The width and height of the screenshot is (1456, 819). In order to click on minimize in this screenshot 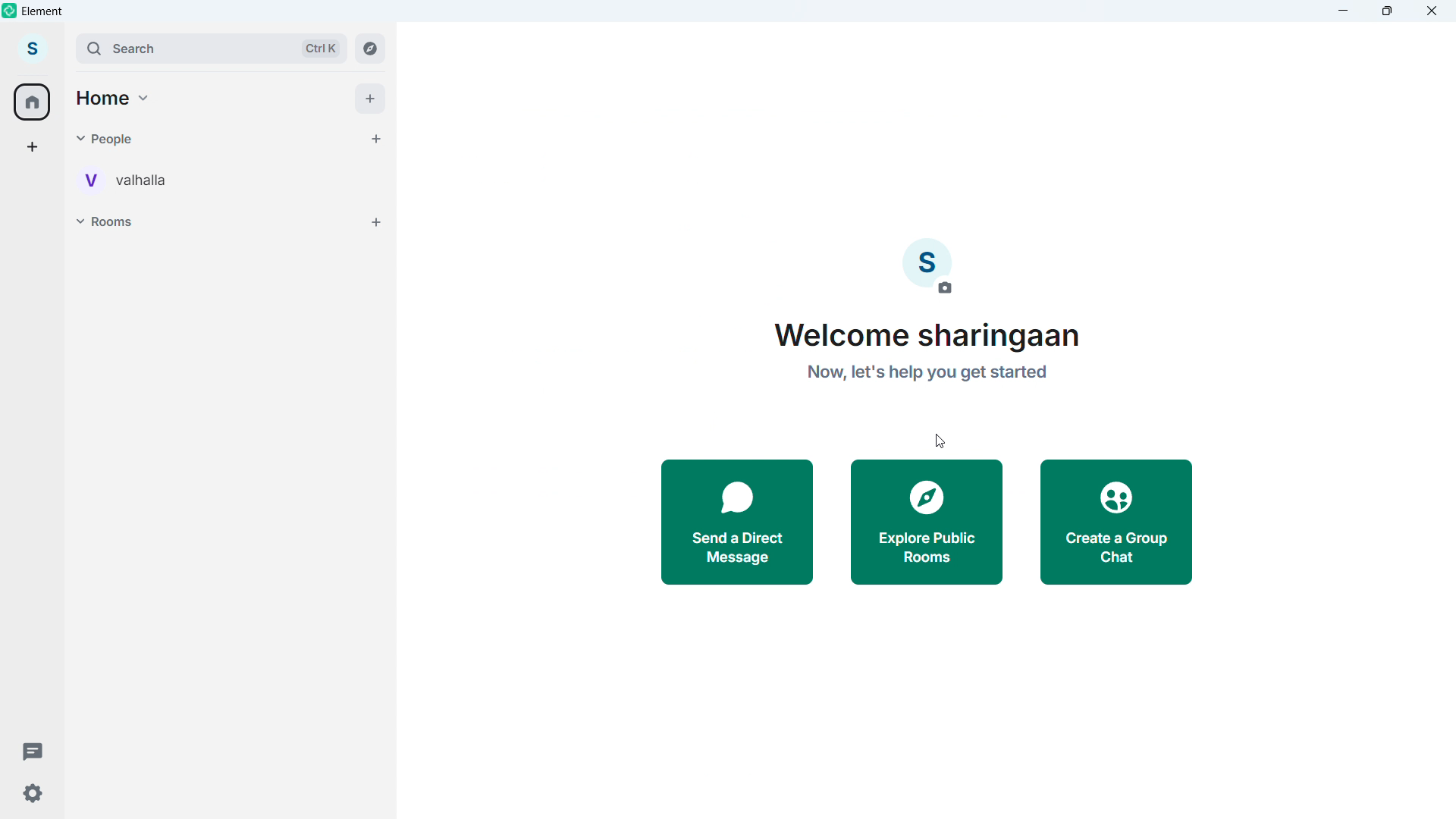, I will do `click(1344, 11)`.